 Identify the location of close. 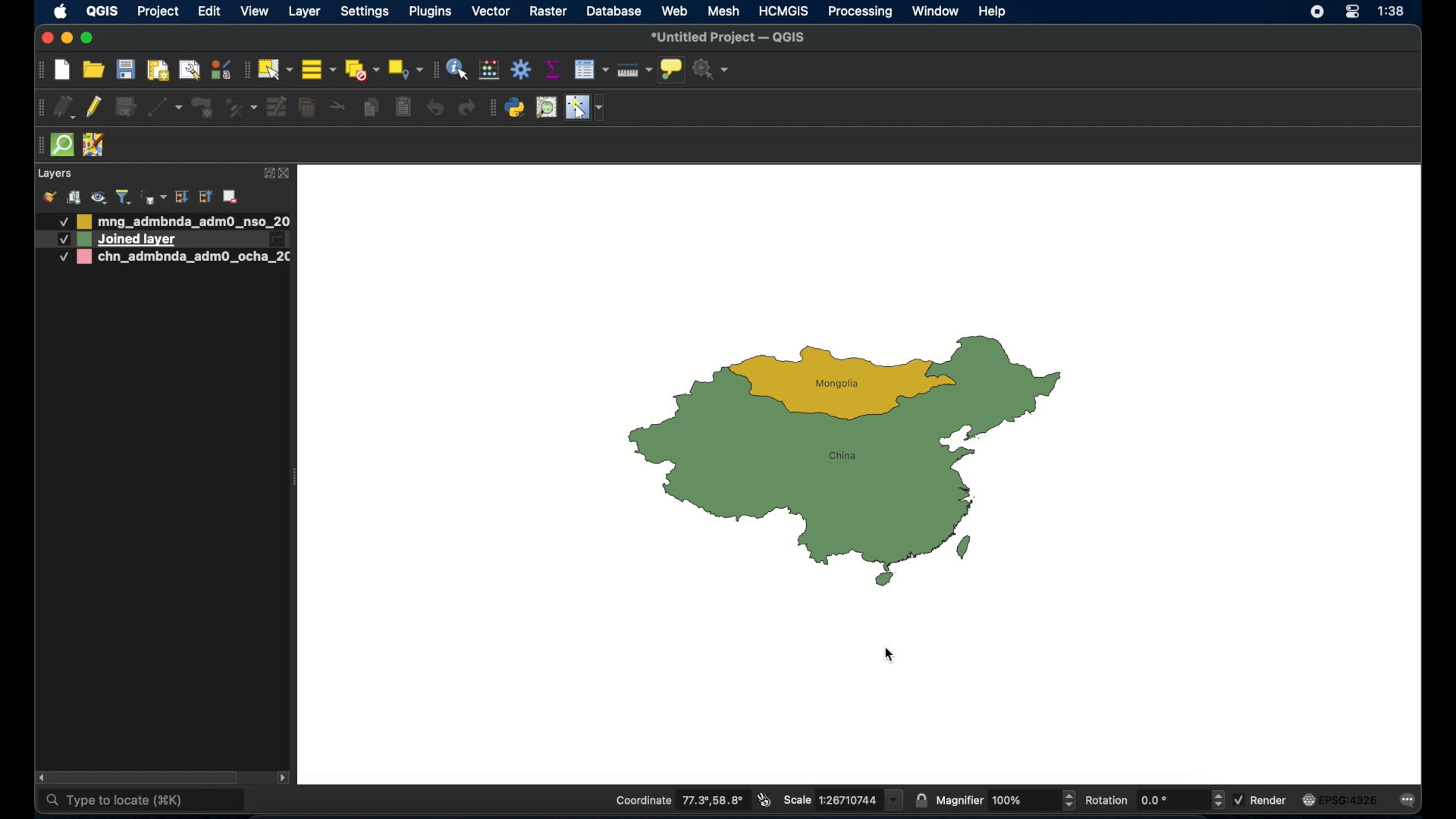
(47, 39).